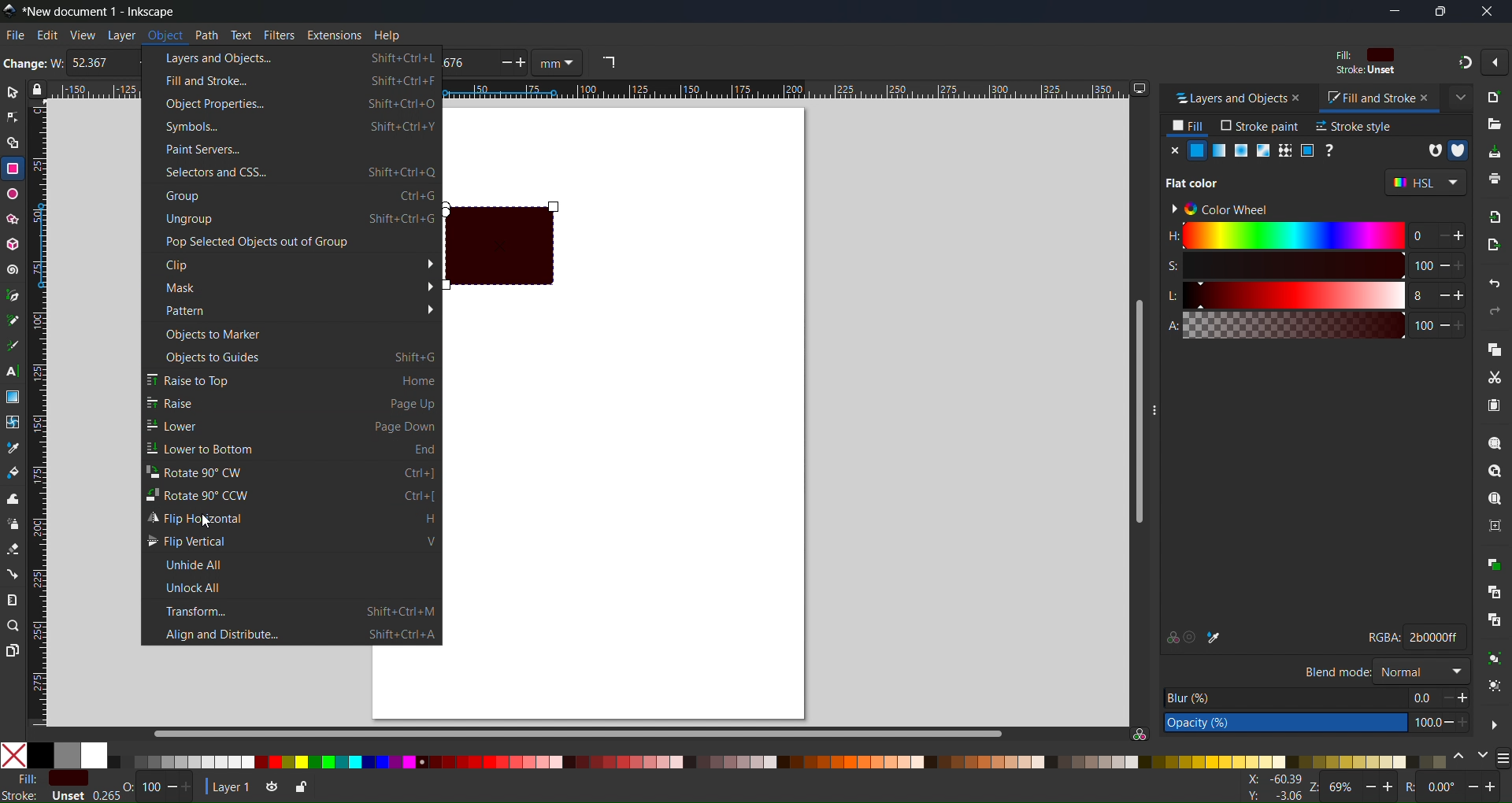 Image resolution: width=1512 pixels, height=803 pixels. I want to click on Minimize the radius, so click(503, 64).